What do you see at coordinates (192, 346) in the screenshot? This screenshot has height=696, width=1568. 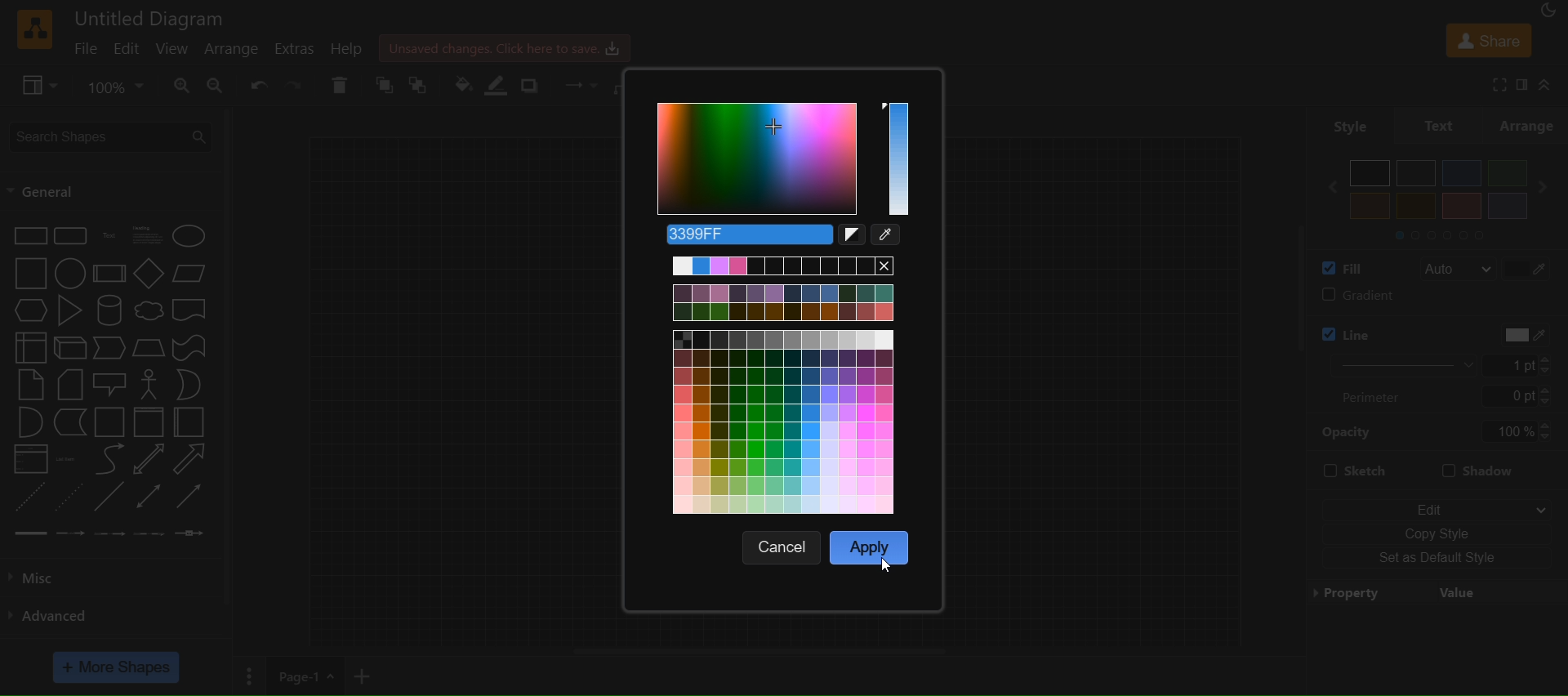 I see `tape` at bounding box center [192, 346].